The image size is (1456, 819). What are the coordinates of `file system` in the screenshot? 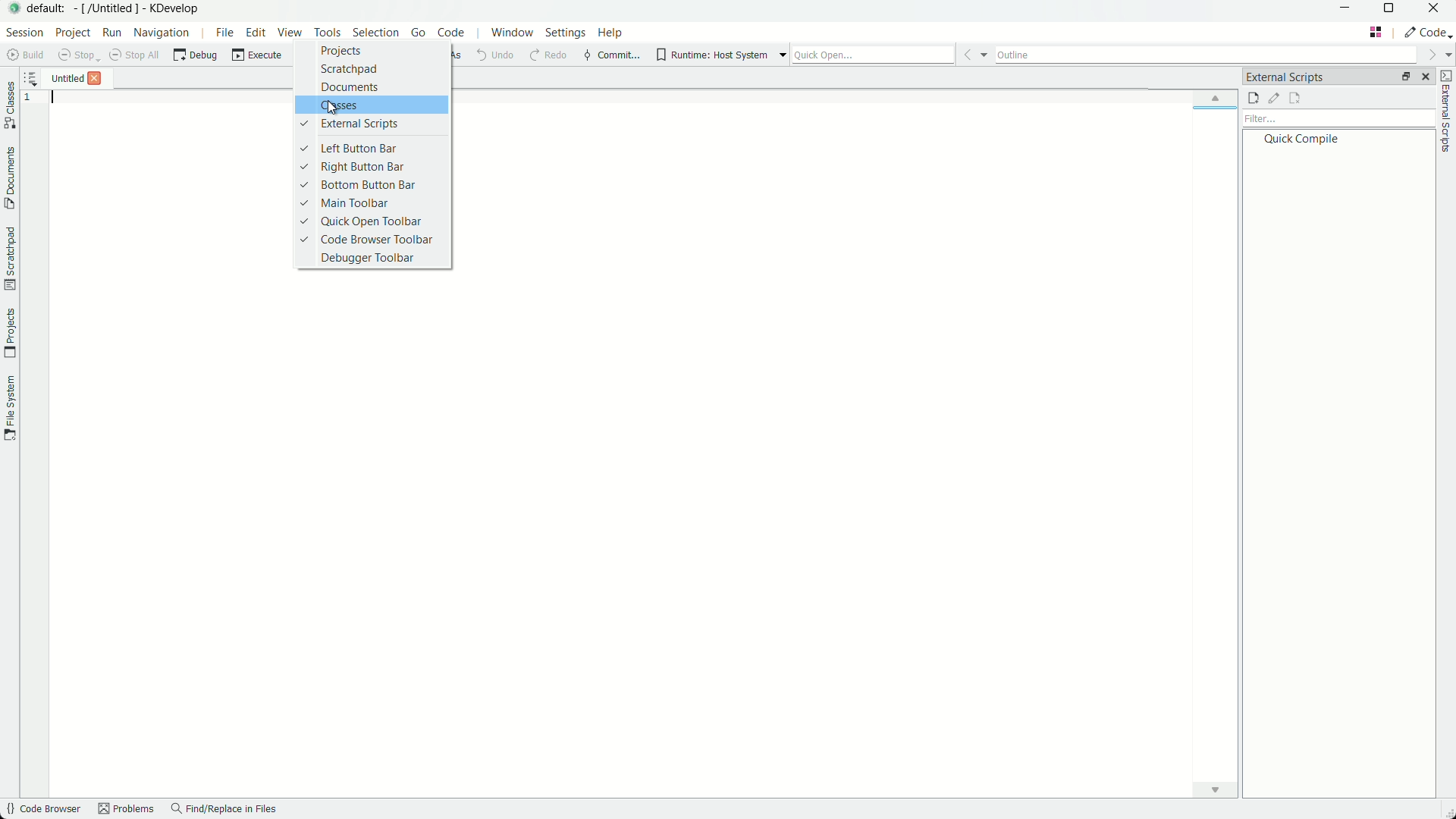 It's located at (12, 408).